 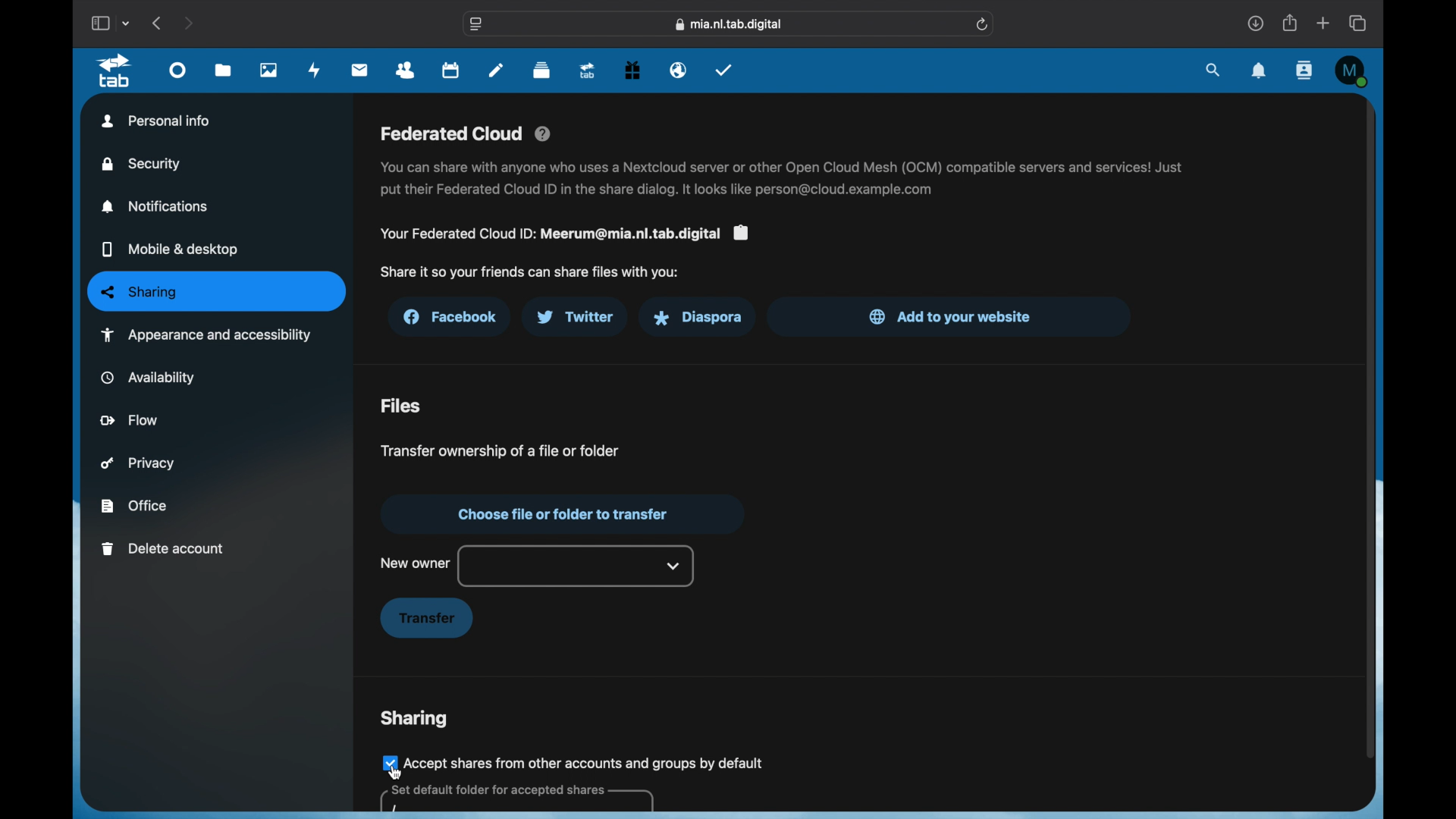 What do you see at coordinates (1351, 71) in the screenshot?
I see `M` at bounding box center [1351, 71].